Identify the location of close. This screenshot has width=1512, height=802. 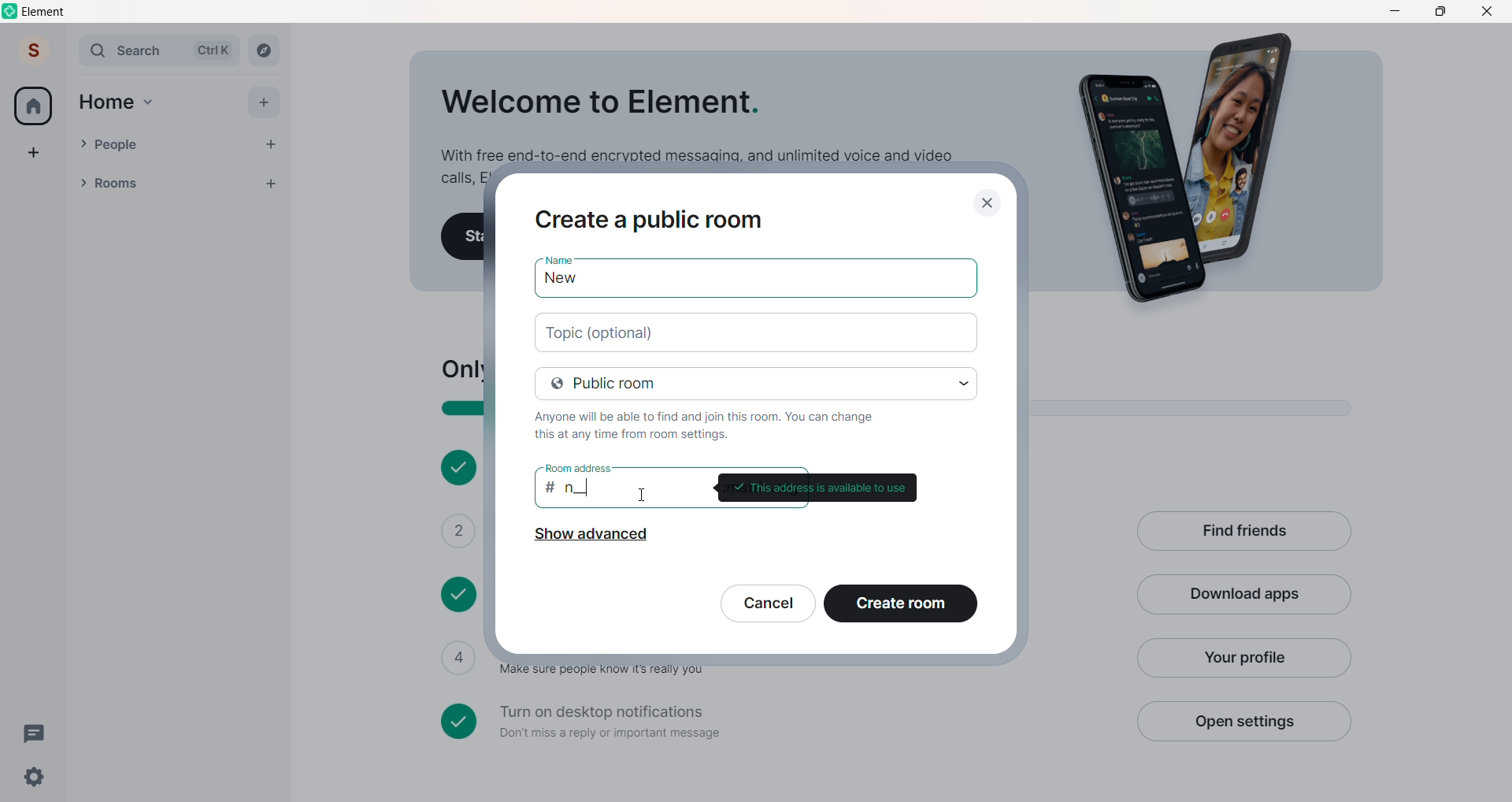
(988, 200).